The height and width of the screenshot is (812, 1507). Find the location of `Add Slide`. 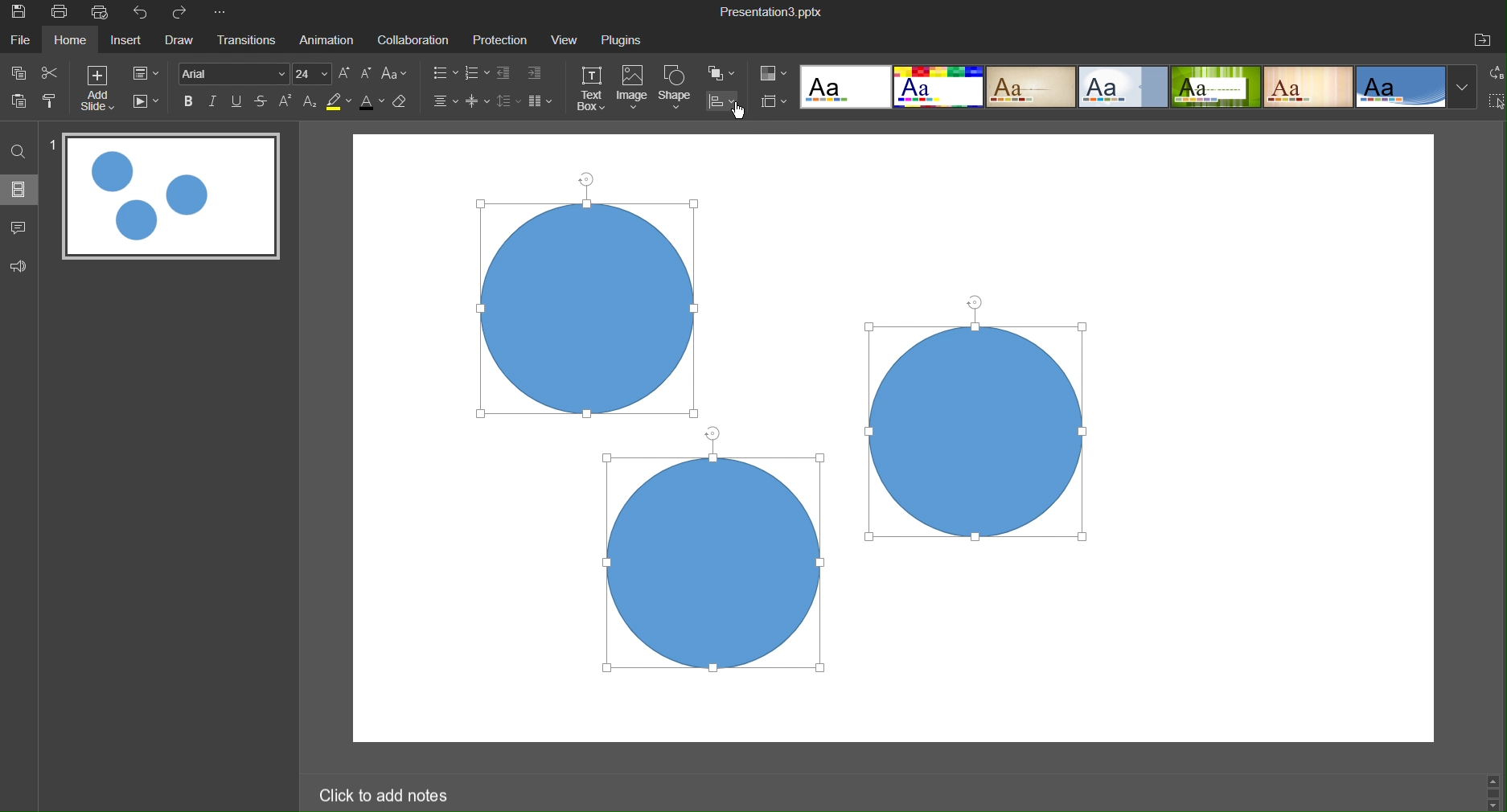

Add Slide is located at coordinates (105, 92).